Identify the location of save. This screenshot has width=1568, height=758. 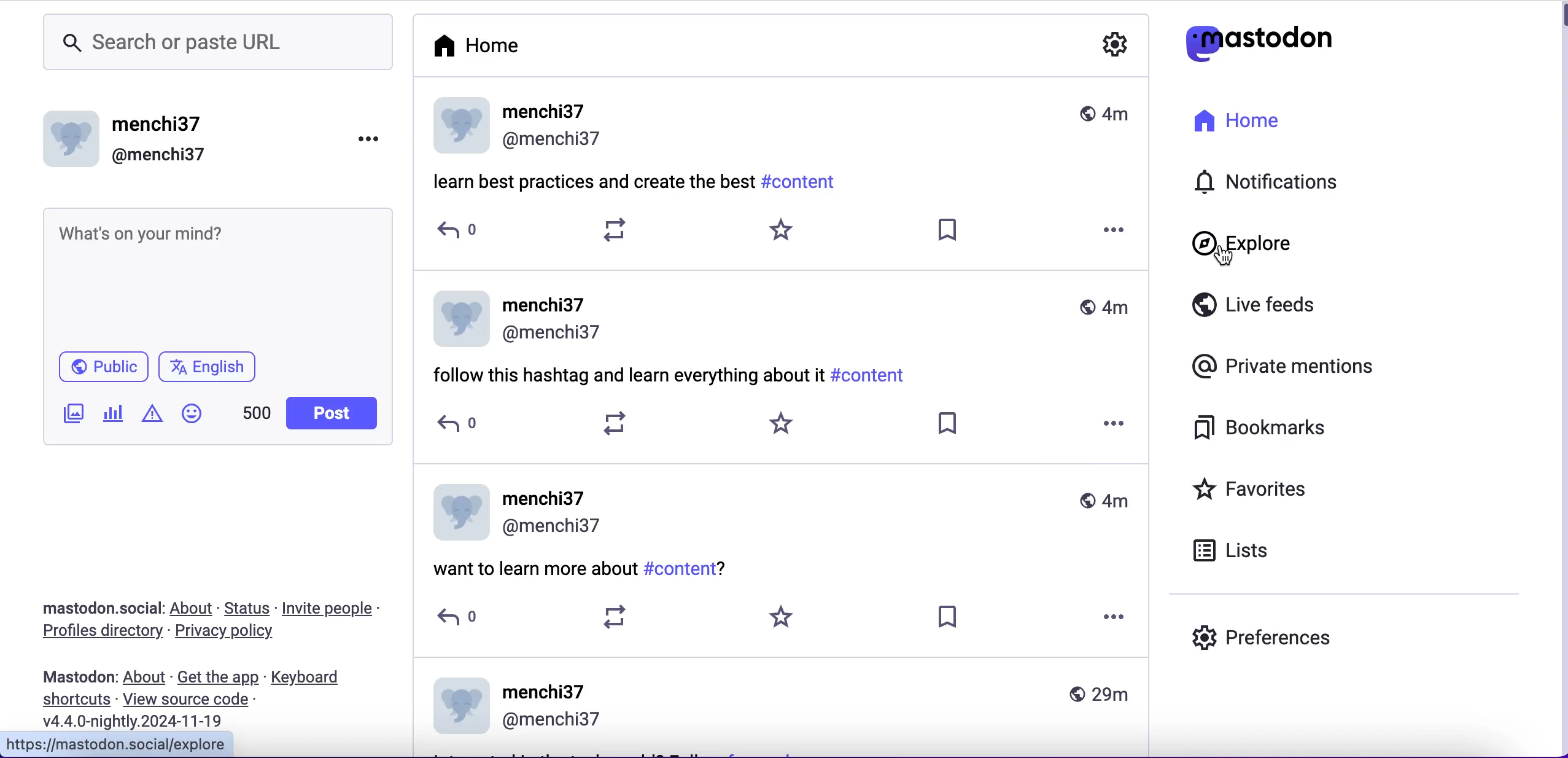
(949, 229).